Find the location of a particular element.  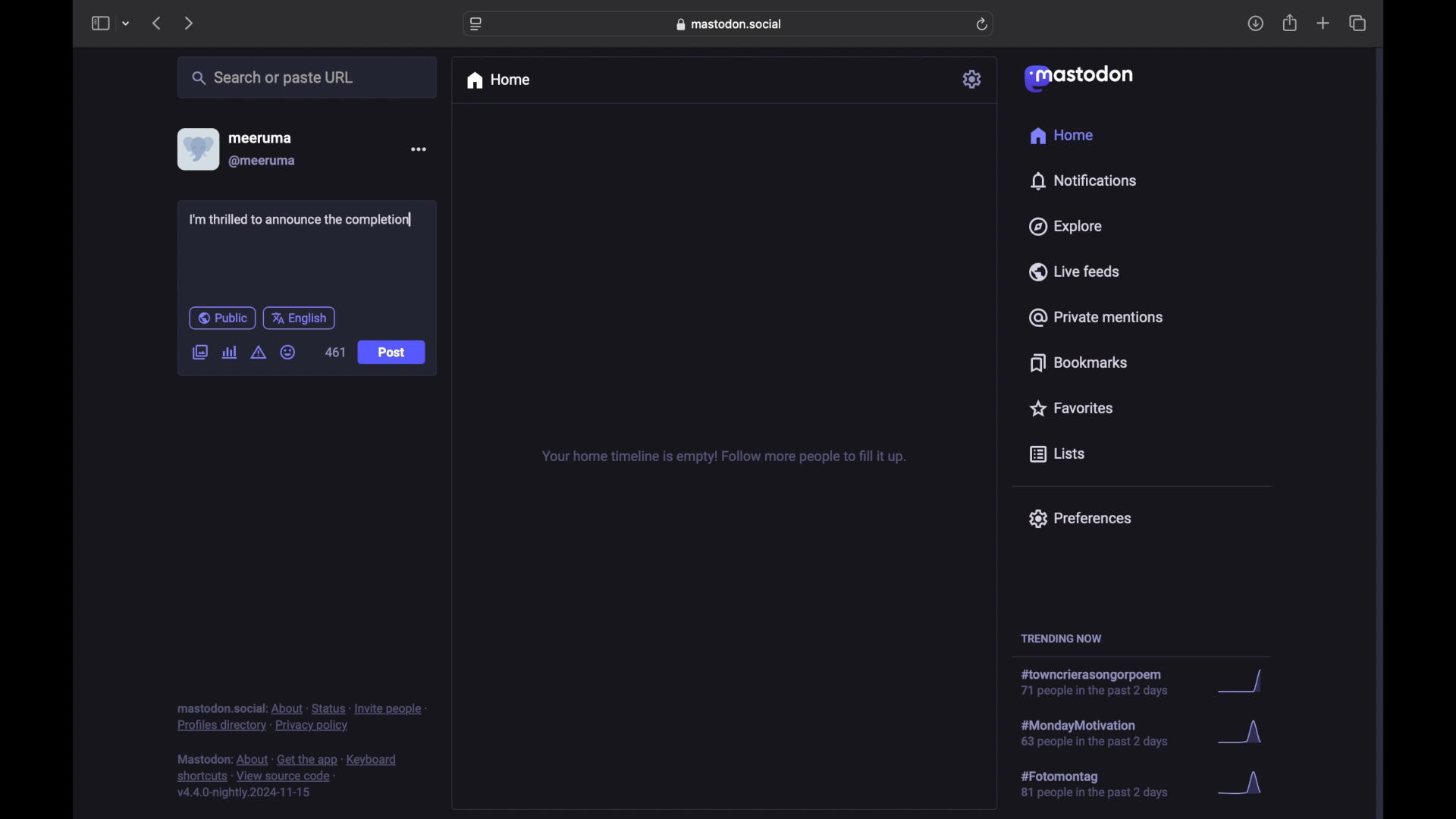

emoji is located at coordinates (287, 352).